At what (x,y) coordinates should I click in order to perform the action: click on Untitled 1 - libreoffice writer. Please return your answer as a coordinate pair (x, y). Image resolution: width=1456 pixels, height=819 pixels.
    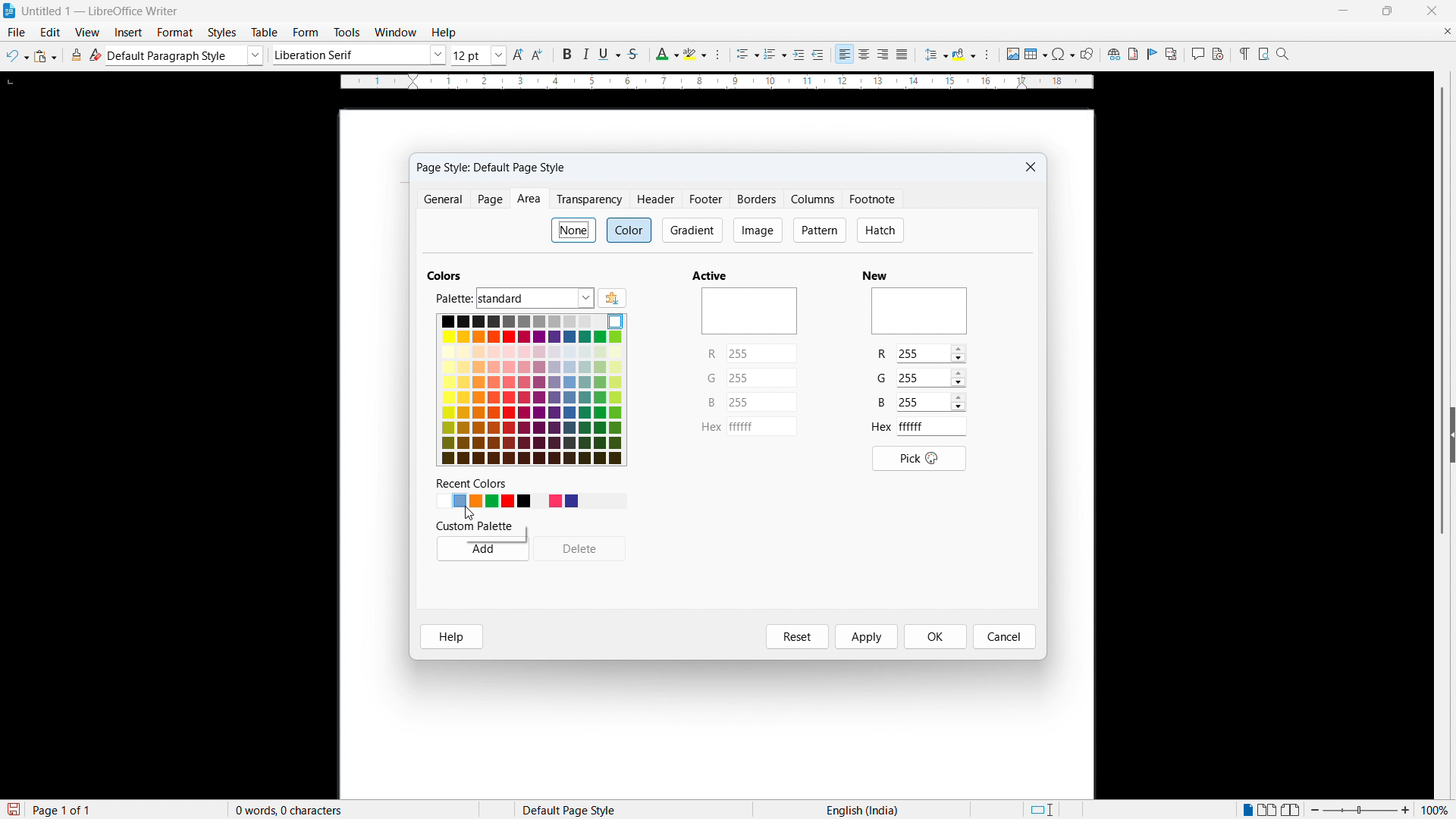
    Looking at the image, I should click on (100, 12).